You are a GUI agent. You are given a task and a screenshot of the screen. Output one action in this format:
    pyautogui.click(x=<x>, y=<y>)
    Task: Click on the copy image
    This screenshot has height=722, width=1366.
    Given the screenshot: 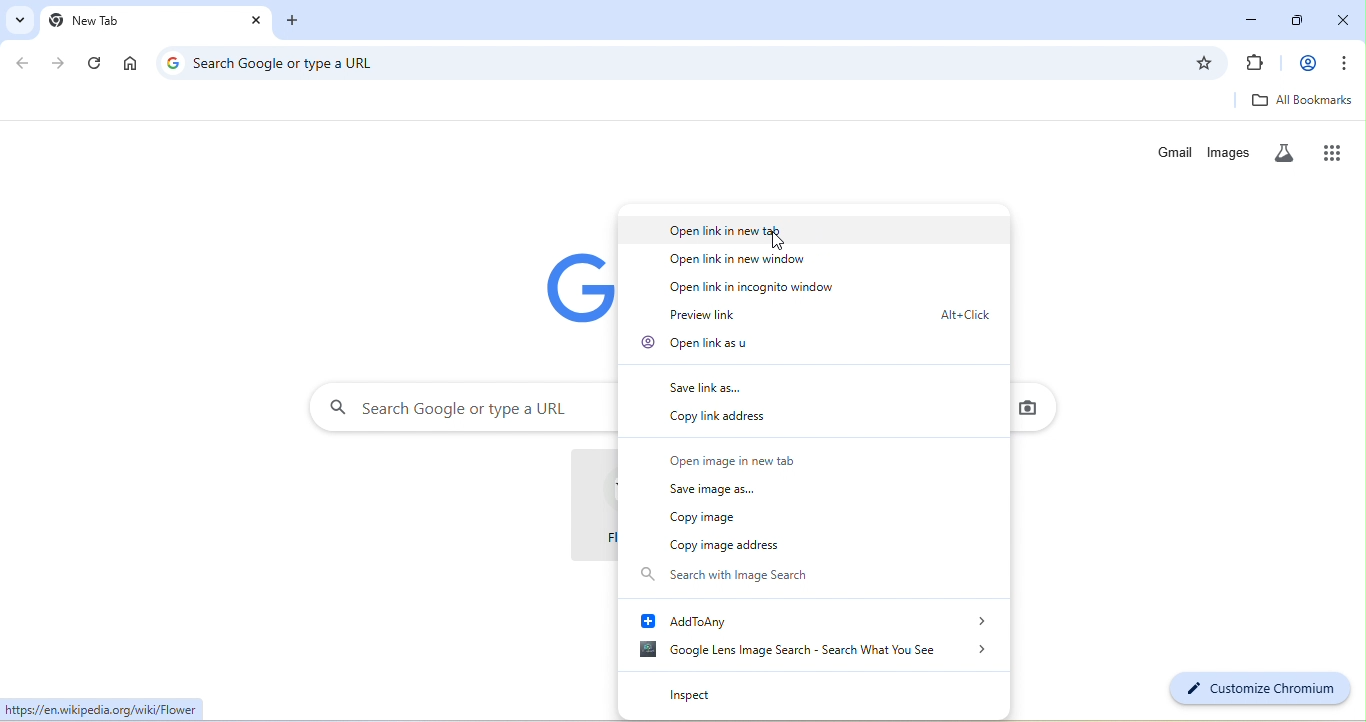 What is the action you would take?
    pyautogui.click(x=707, y=519)
    